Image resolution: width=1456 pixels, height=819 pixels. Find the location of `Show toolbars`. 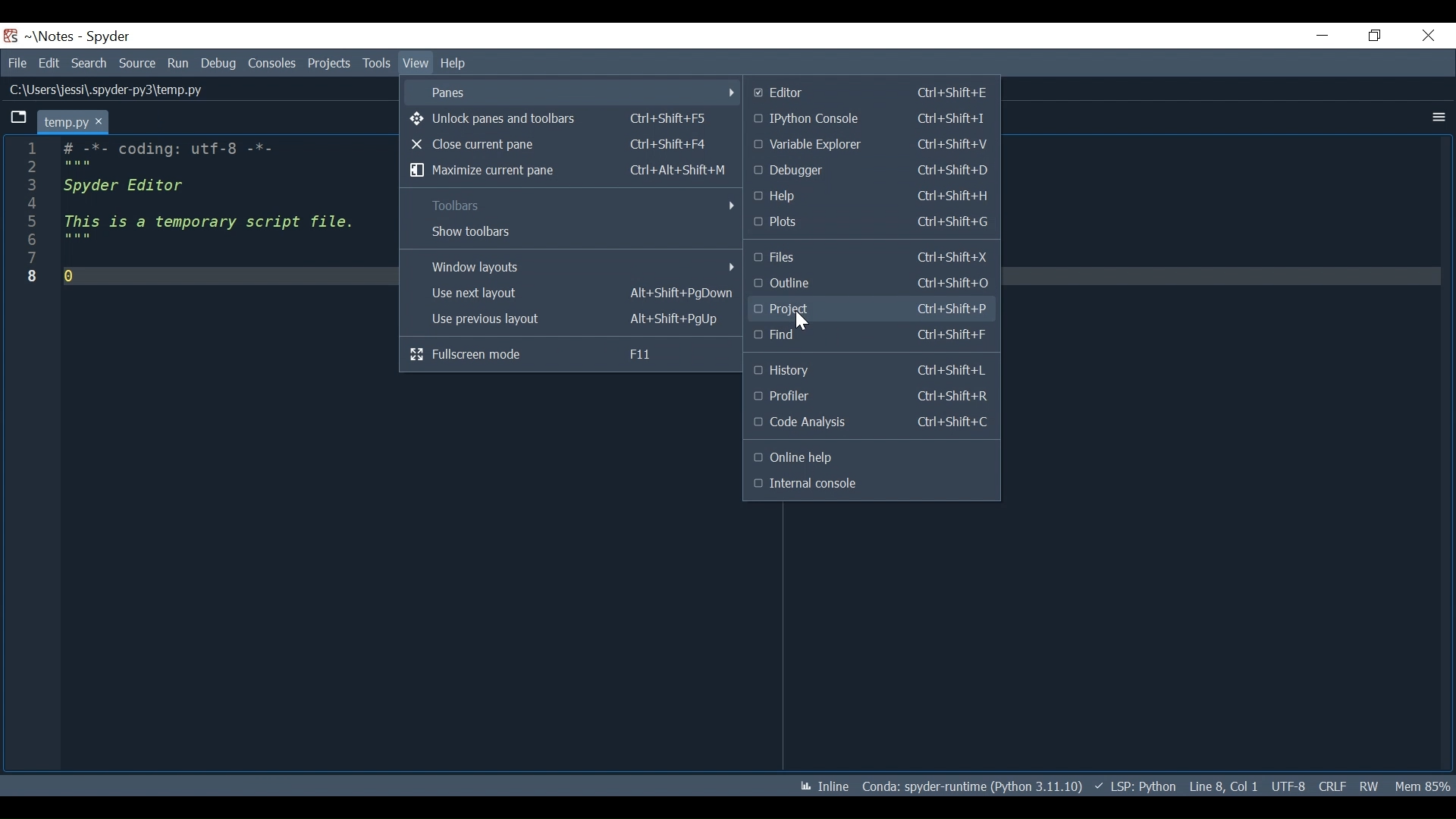

Show toolbars is located at coordinates (571, 231).